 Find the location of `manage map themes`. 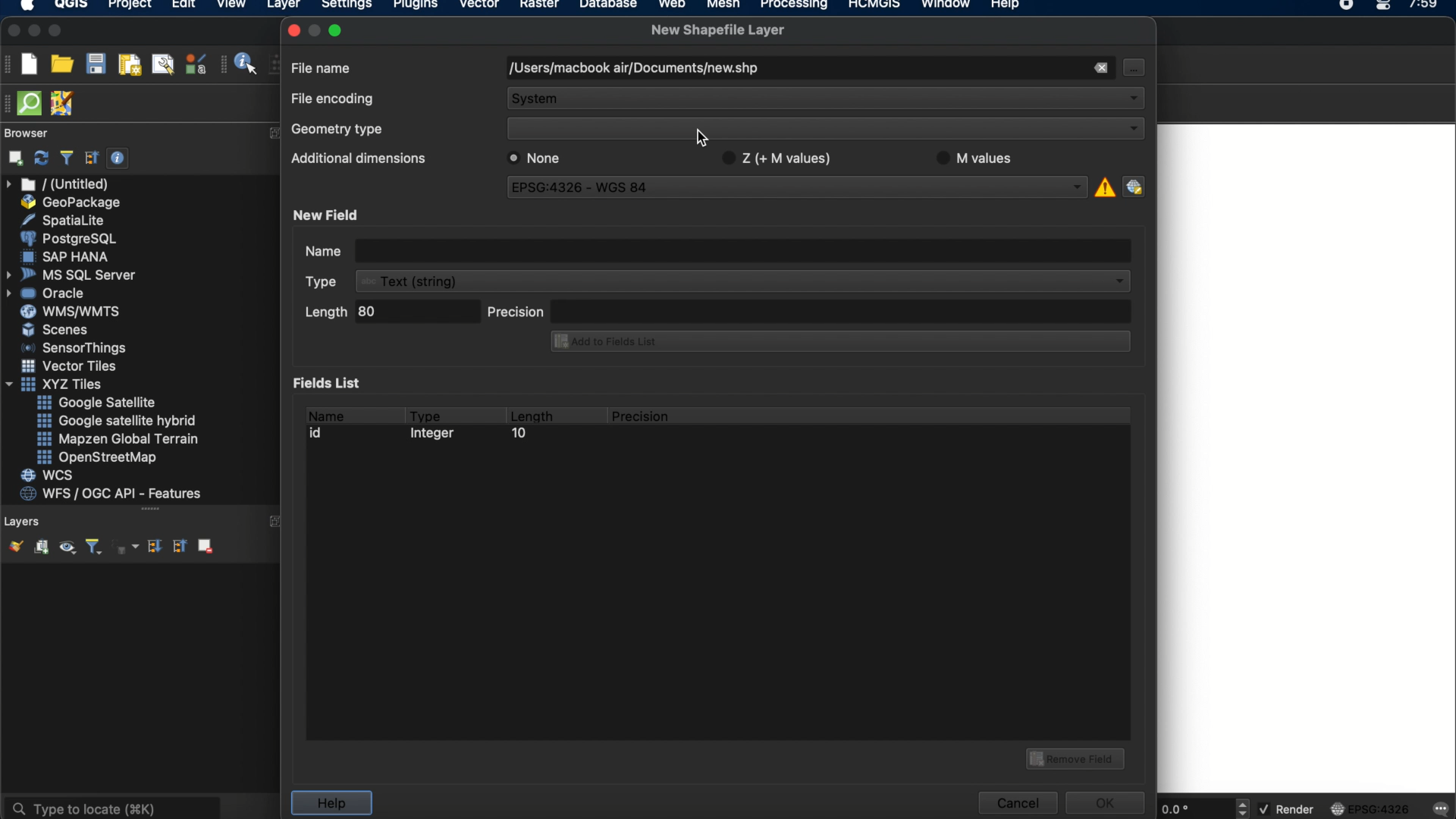

manage map themes is located at coordinates (66, 549).